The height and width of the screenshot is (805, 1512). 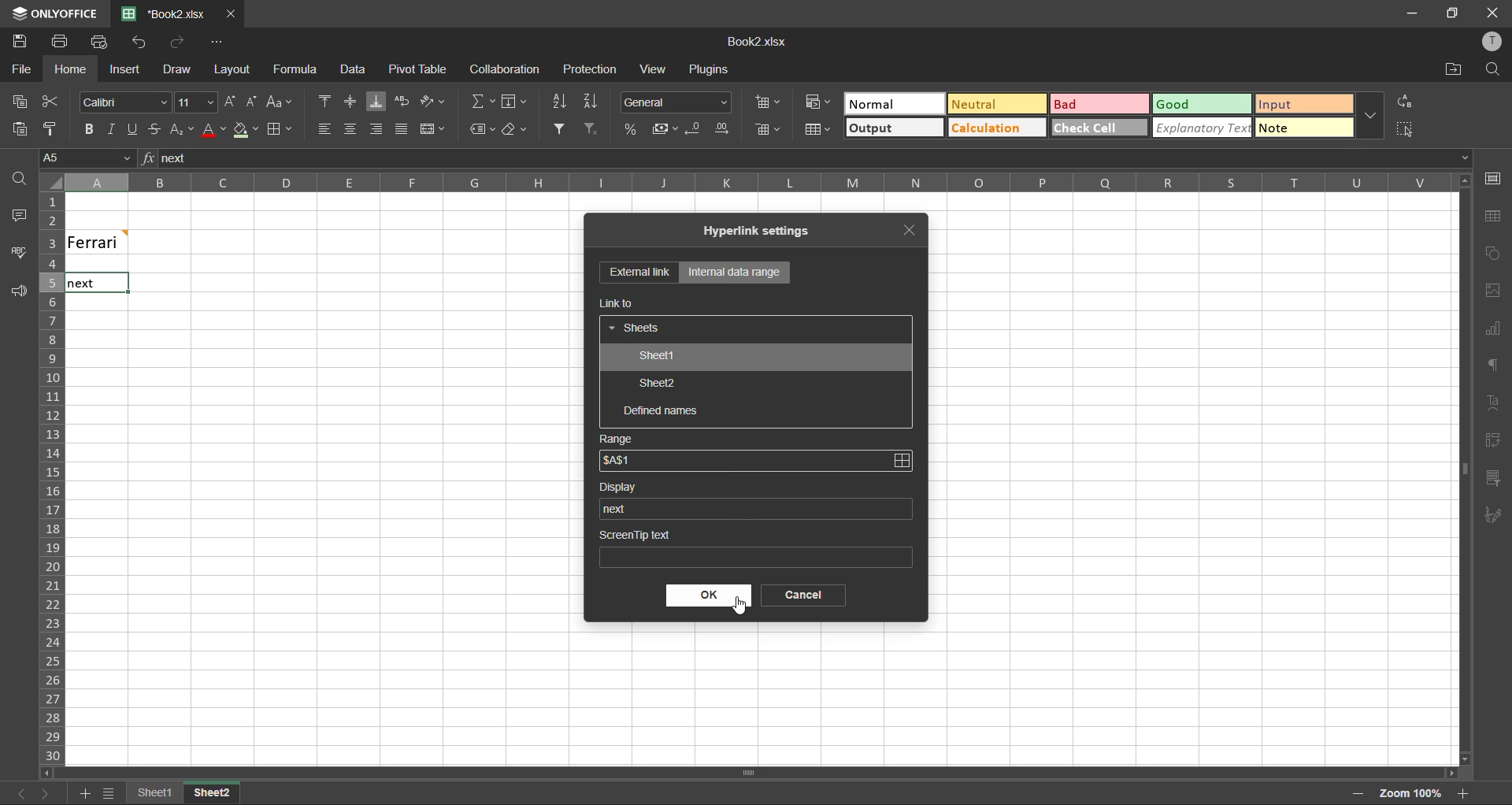 I want to click on feedback, so click(x=21, y=295).